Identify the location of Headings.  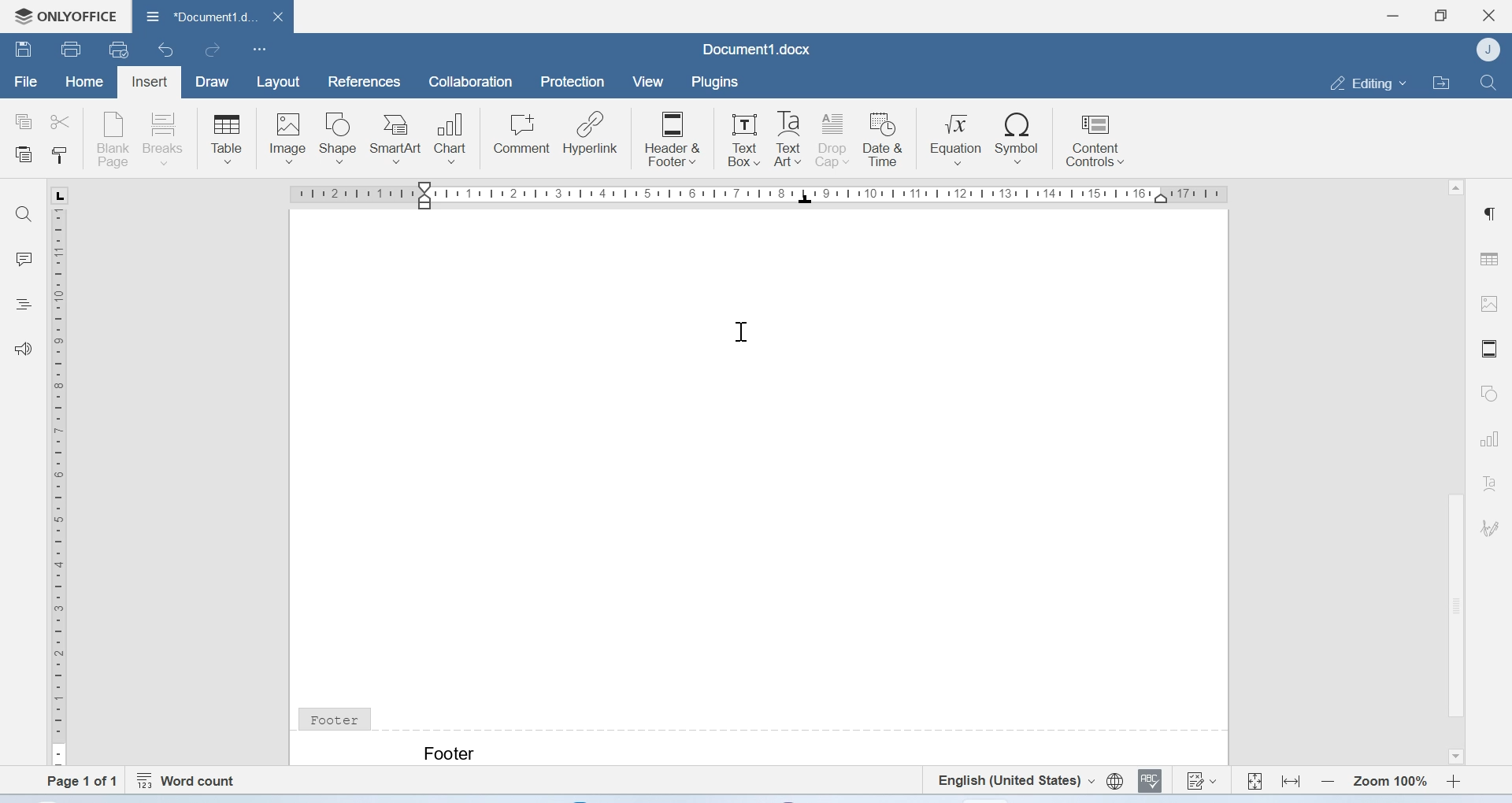
(26, 303).